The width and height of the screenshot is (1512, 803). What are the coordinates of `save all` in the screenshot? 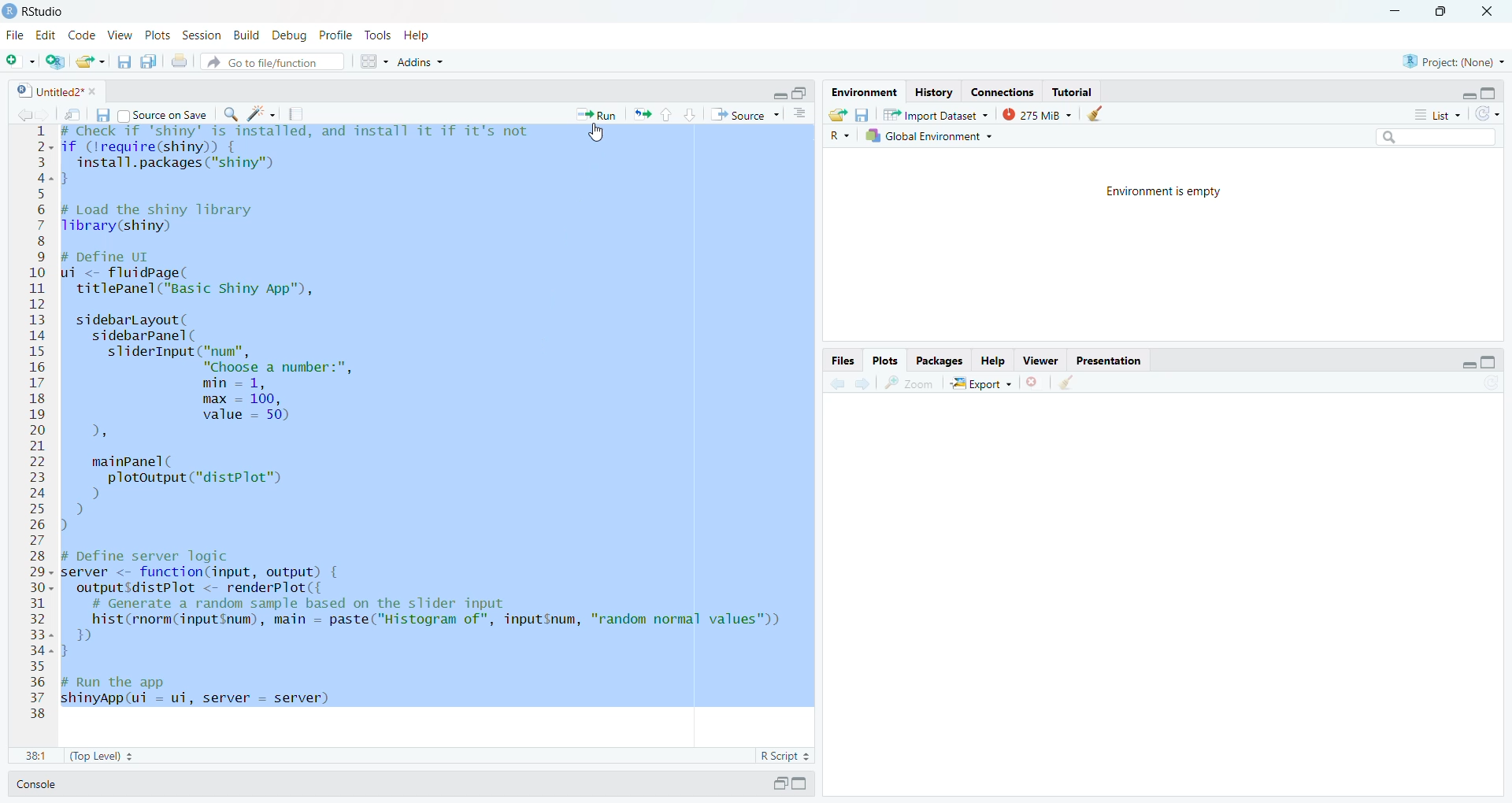 It's located at (149, 61).